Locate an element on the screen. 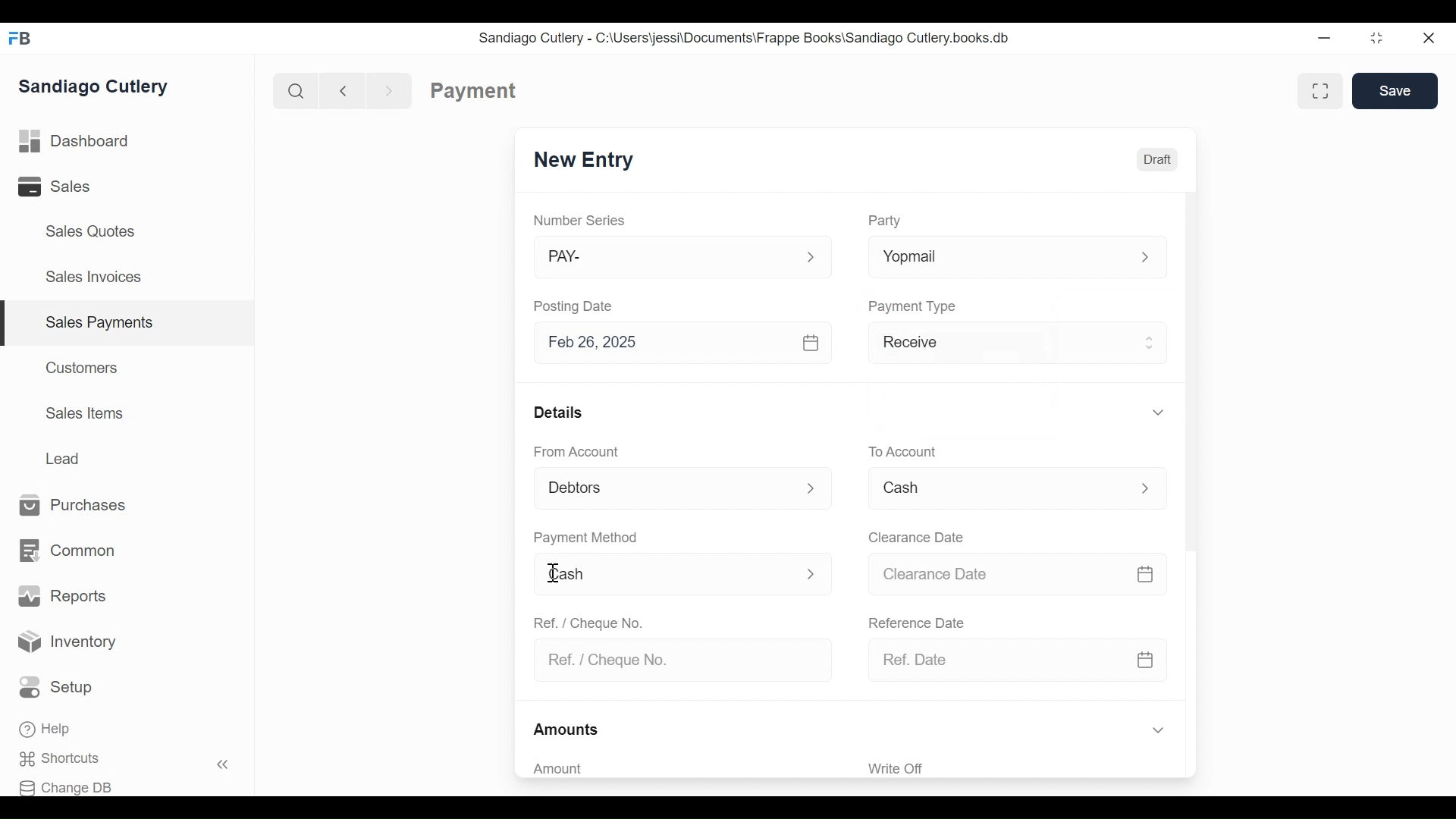 This screenshot has width=1456, height=819. Toggle form and full width  is located at coordinates (1326, 88).